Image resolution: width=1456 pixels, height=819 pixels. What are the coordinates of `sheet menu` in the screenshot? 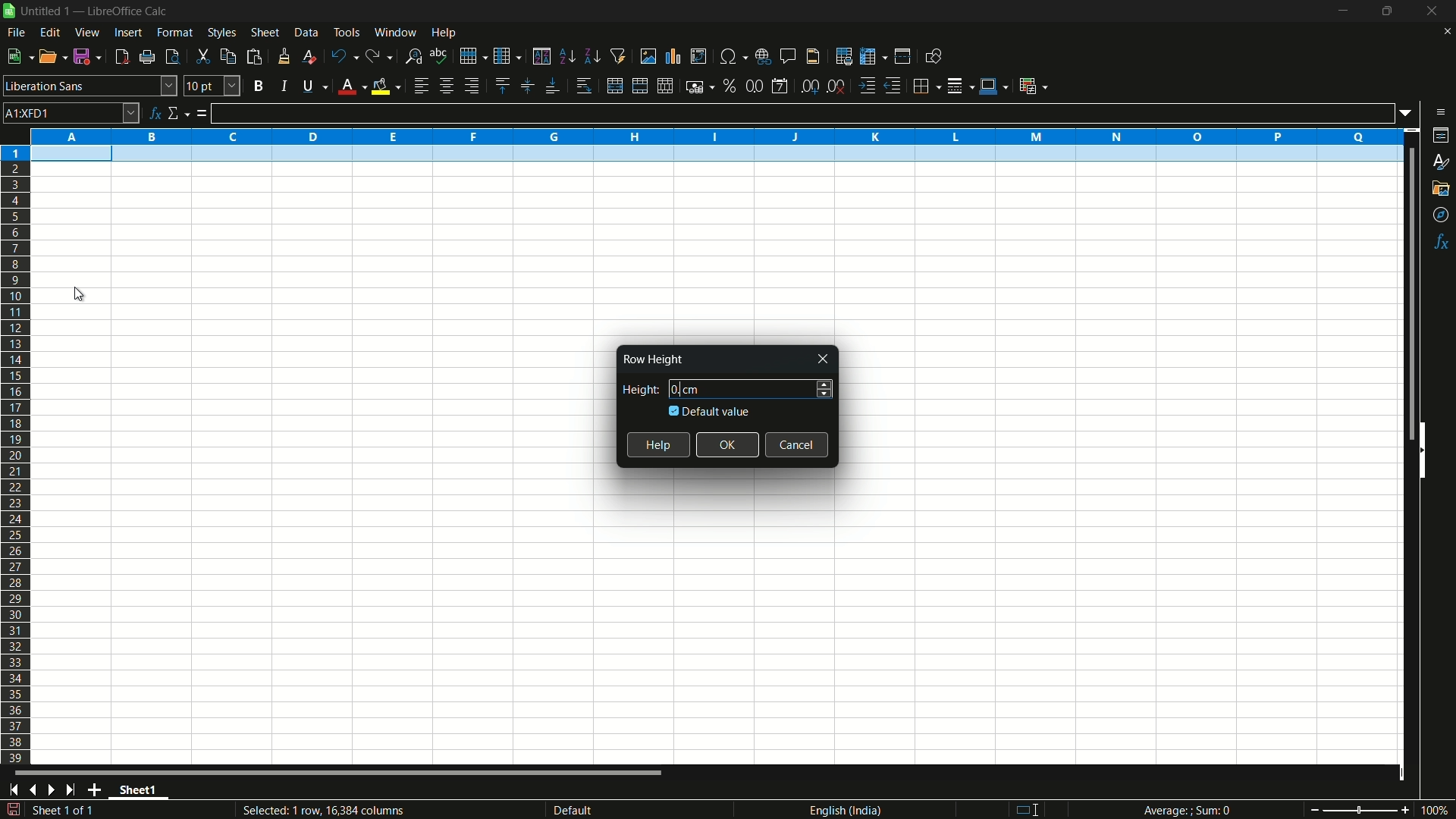 It's located at (265, 33).